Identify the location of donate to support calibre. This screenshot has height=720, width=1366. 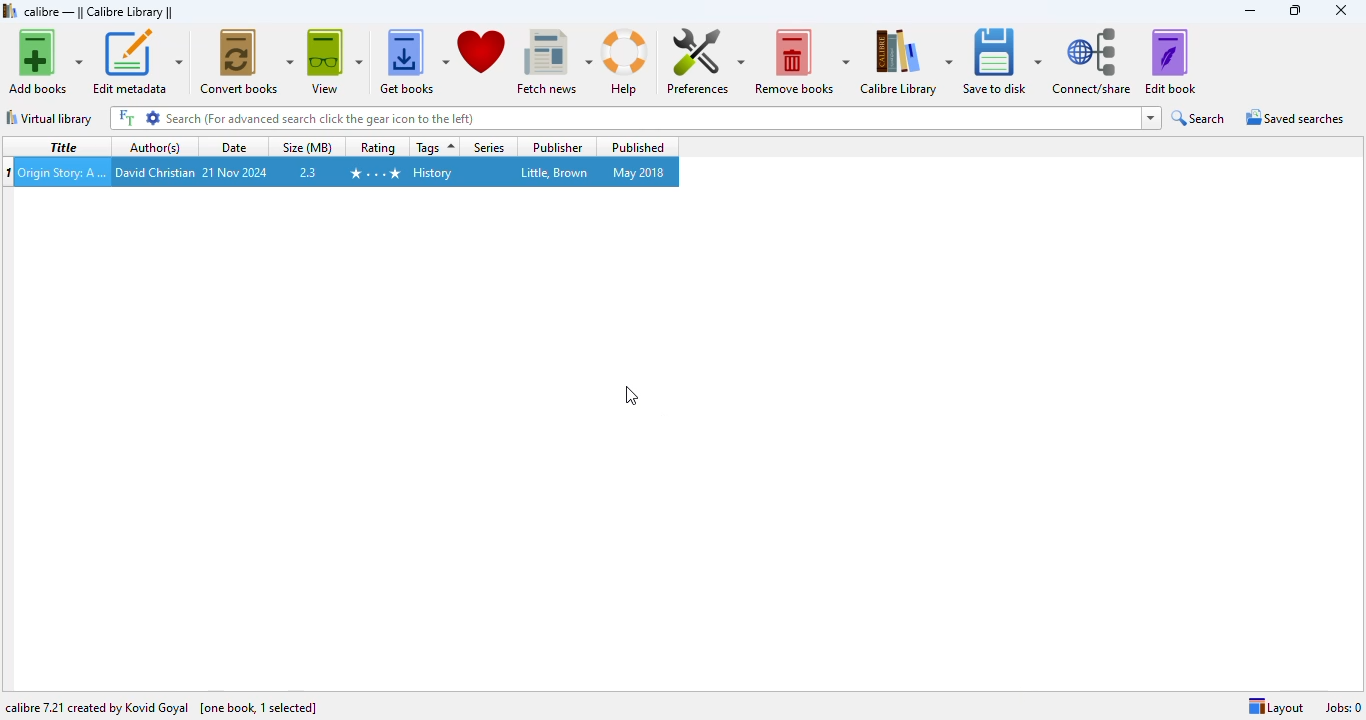
(482, 52).